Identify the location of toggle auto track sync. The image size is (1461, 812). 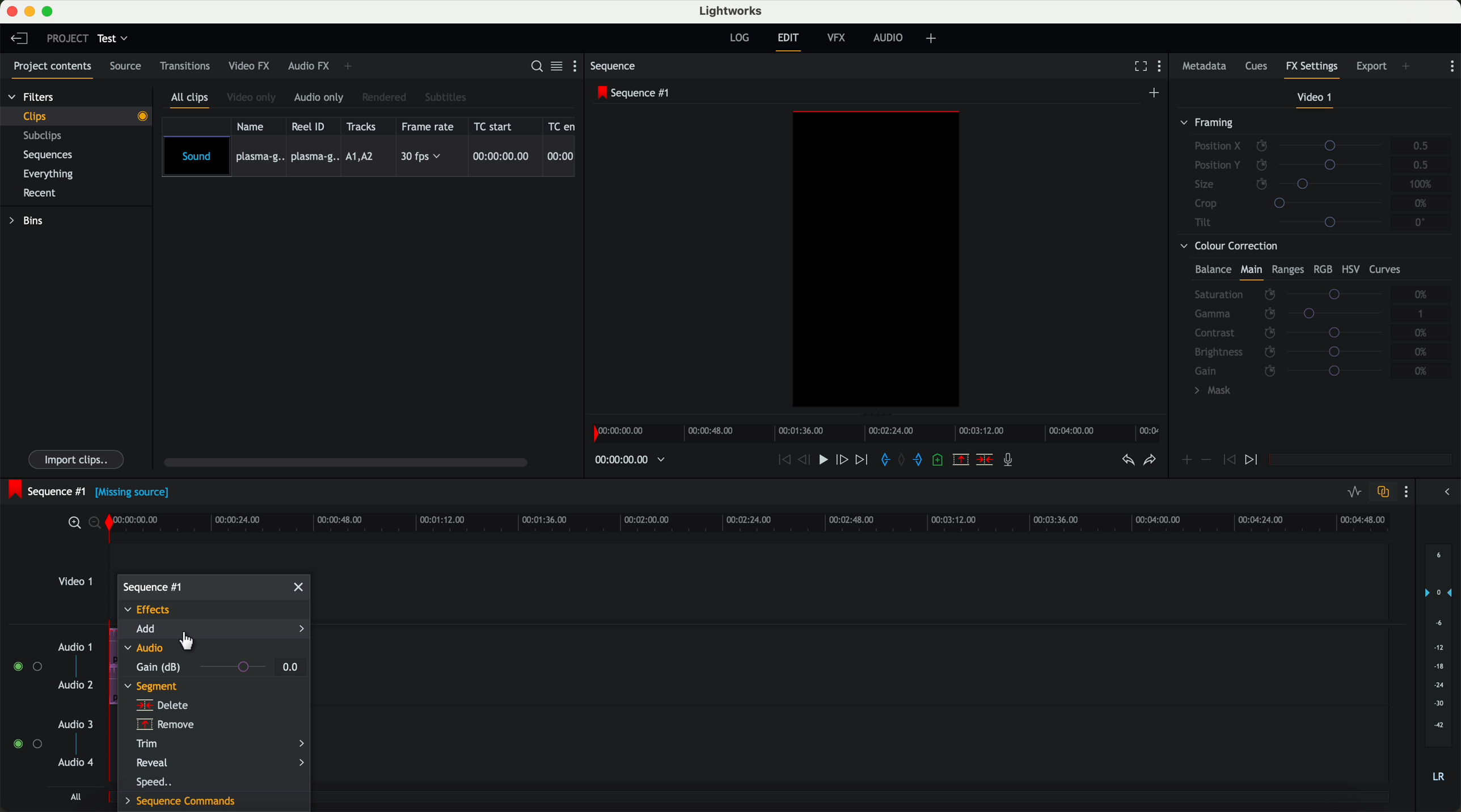
(1383, 492).